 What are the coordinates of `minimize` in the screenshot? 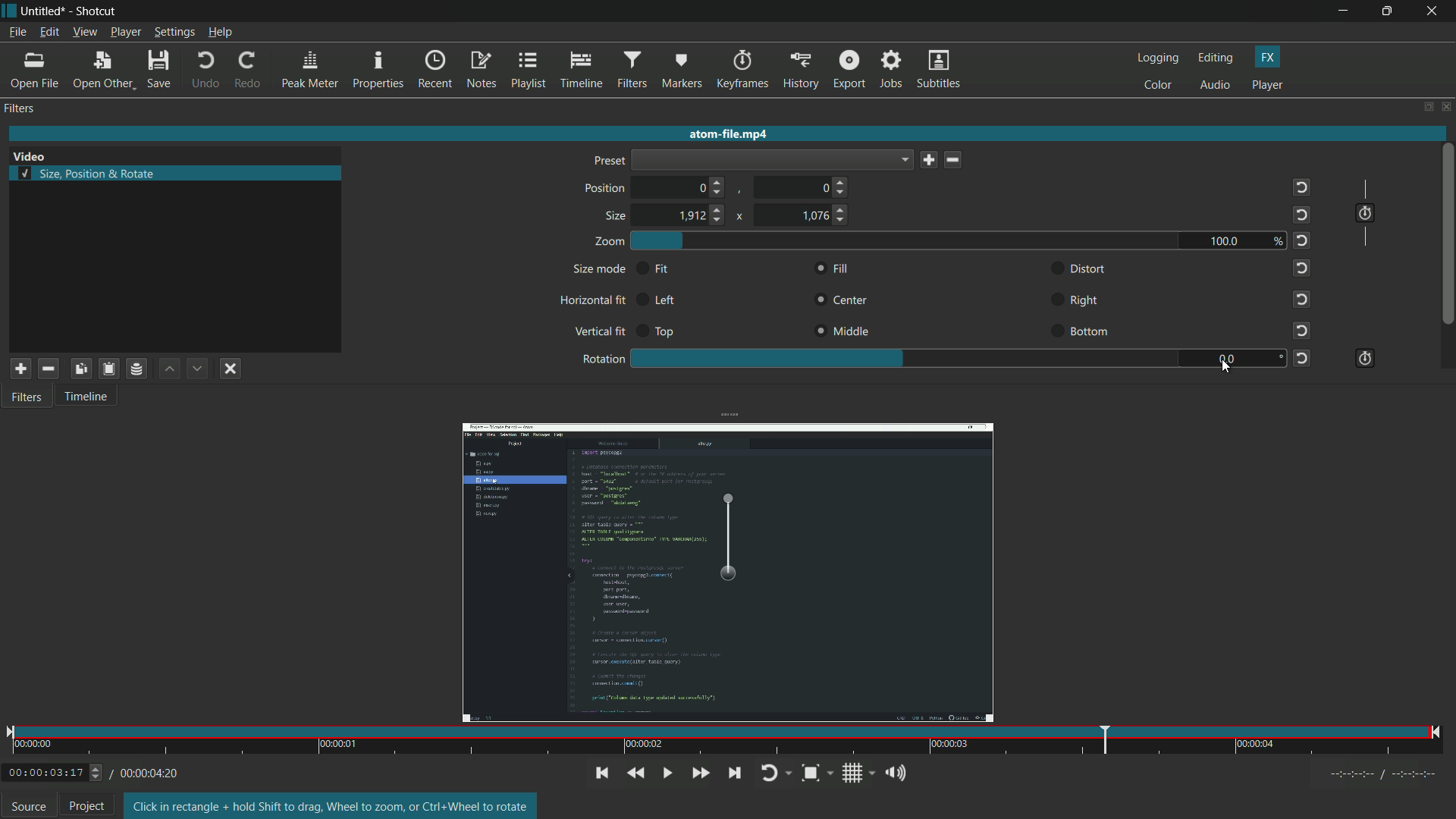 It's located at (1344, 11).